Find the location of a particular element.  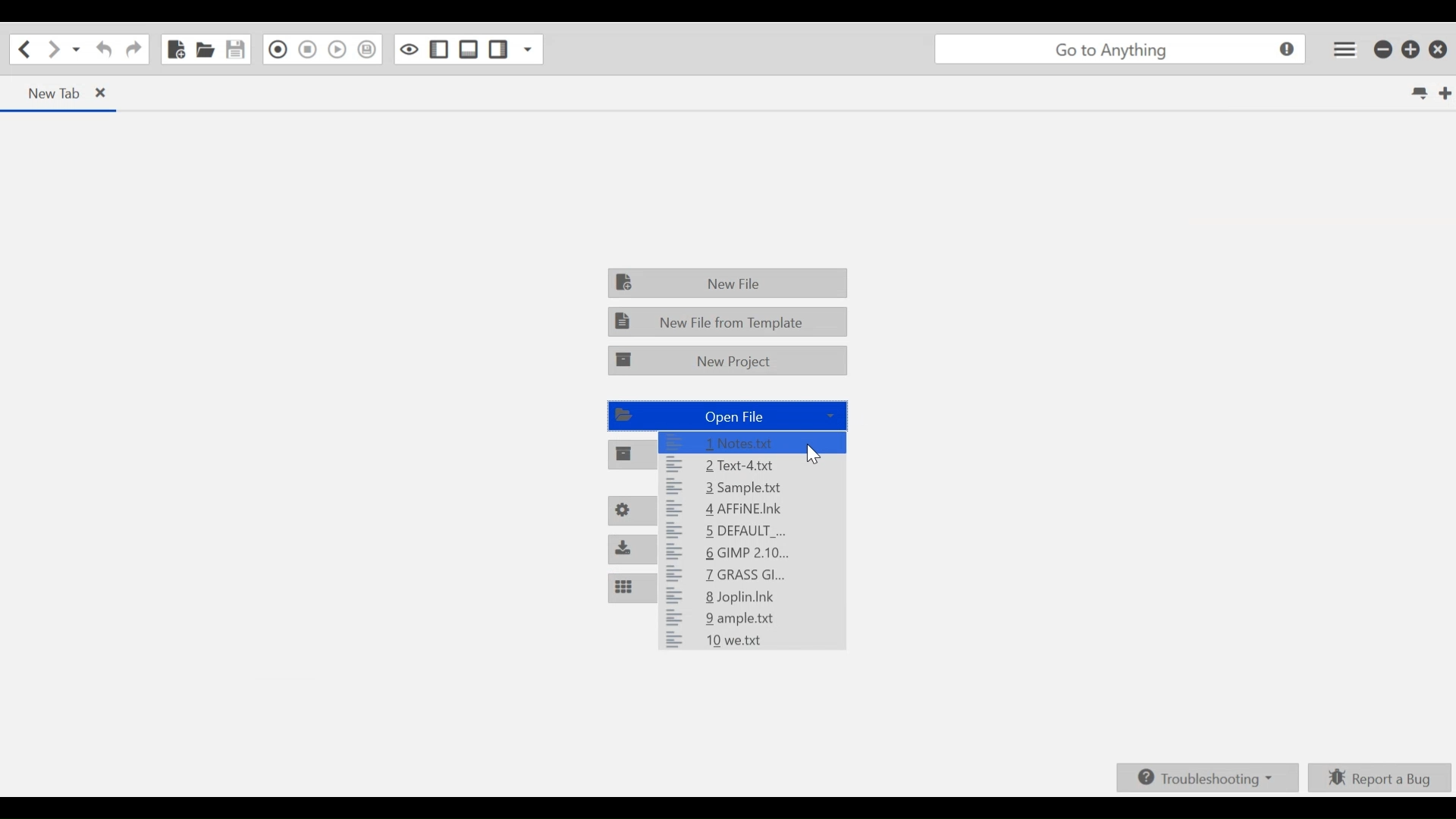

new tab is located at coordinates (45, 94).